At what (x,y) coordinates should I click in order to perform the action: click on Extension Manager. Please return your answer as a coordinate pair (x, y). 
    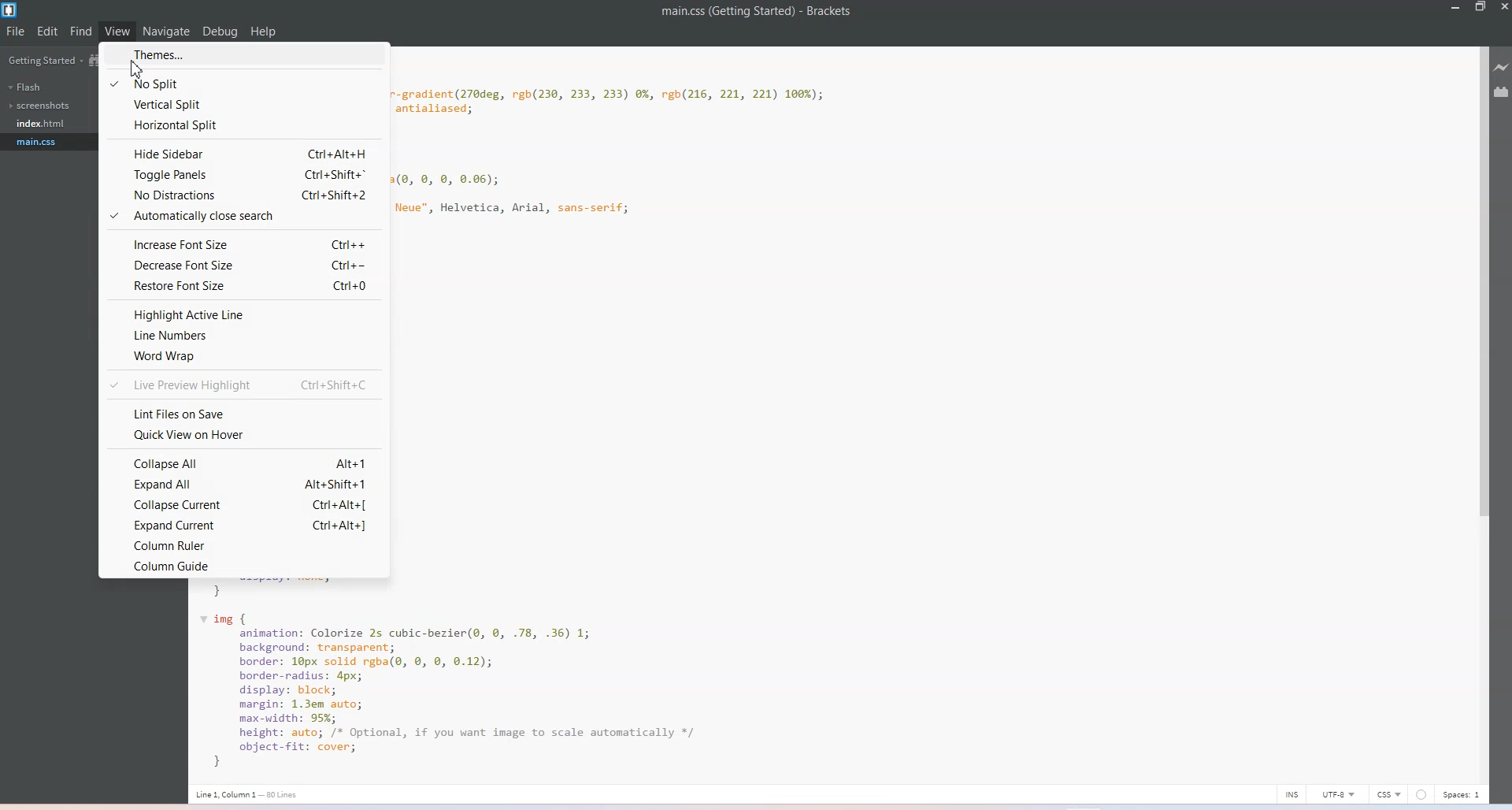
    Looking at the image, I should click on (1502, 91).